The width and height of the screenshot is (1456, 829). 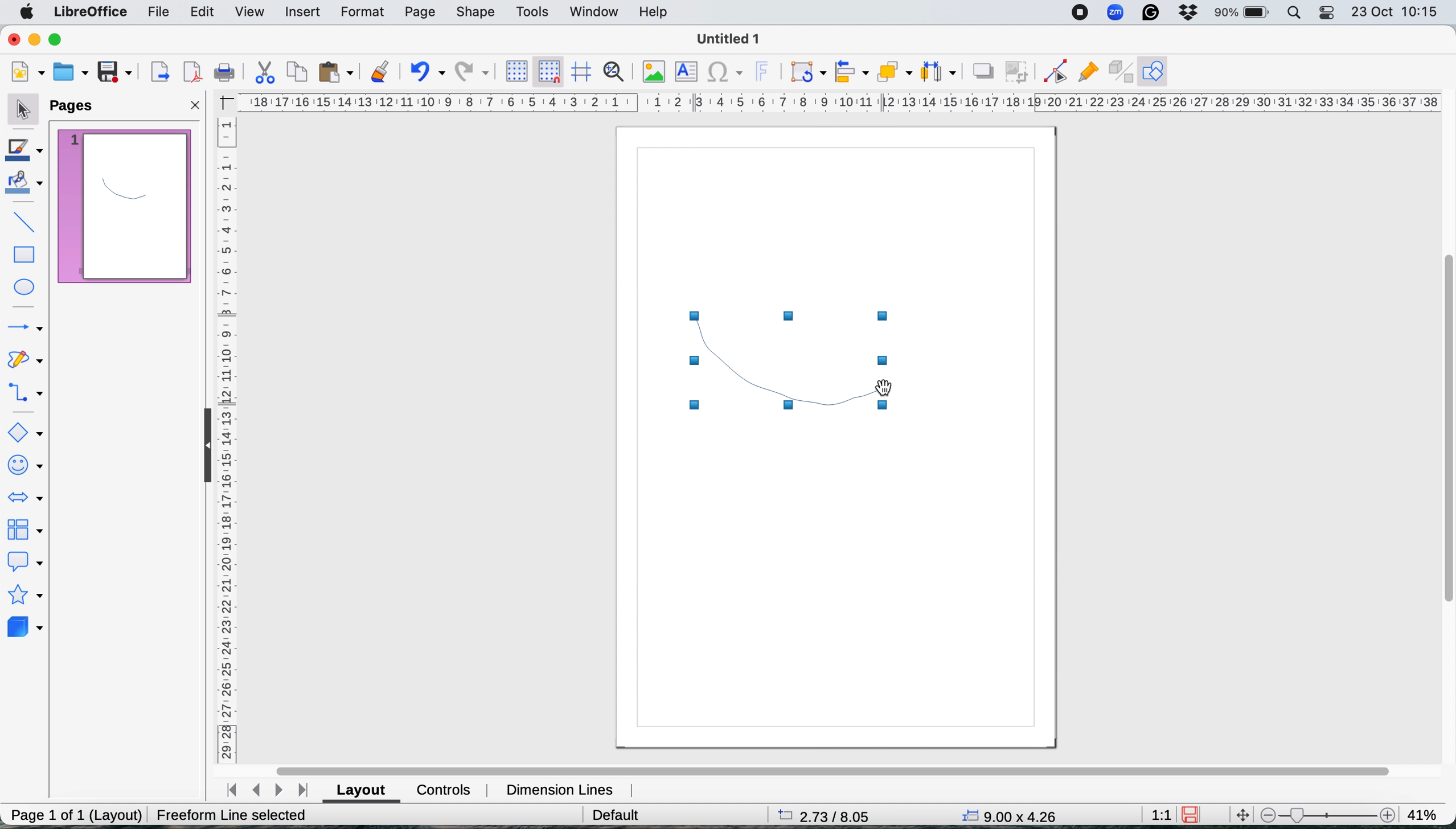 I want to click on callout shapes, so click(x=27, y=564).